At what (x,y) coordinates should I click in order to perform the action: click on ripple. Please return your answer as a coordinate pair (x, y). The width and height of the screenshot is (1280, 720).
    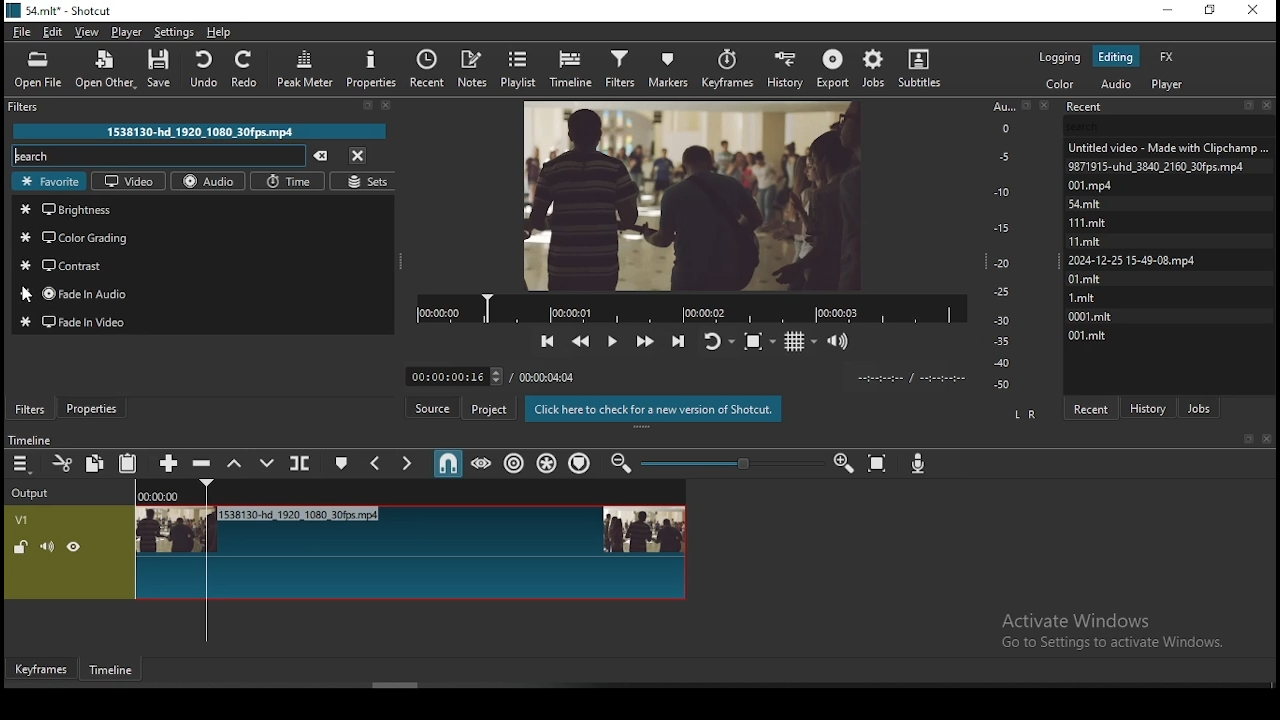
    Looking at the image, I should click on (516, 465).